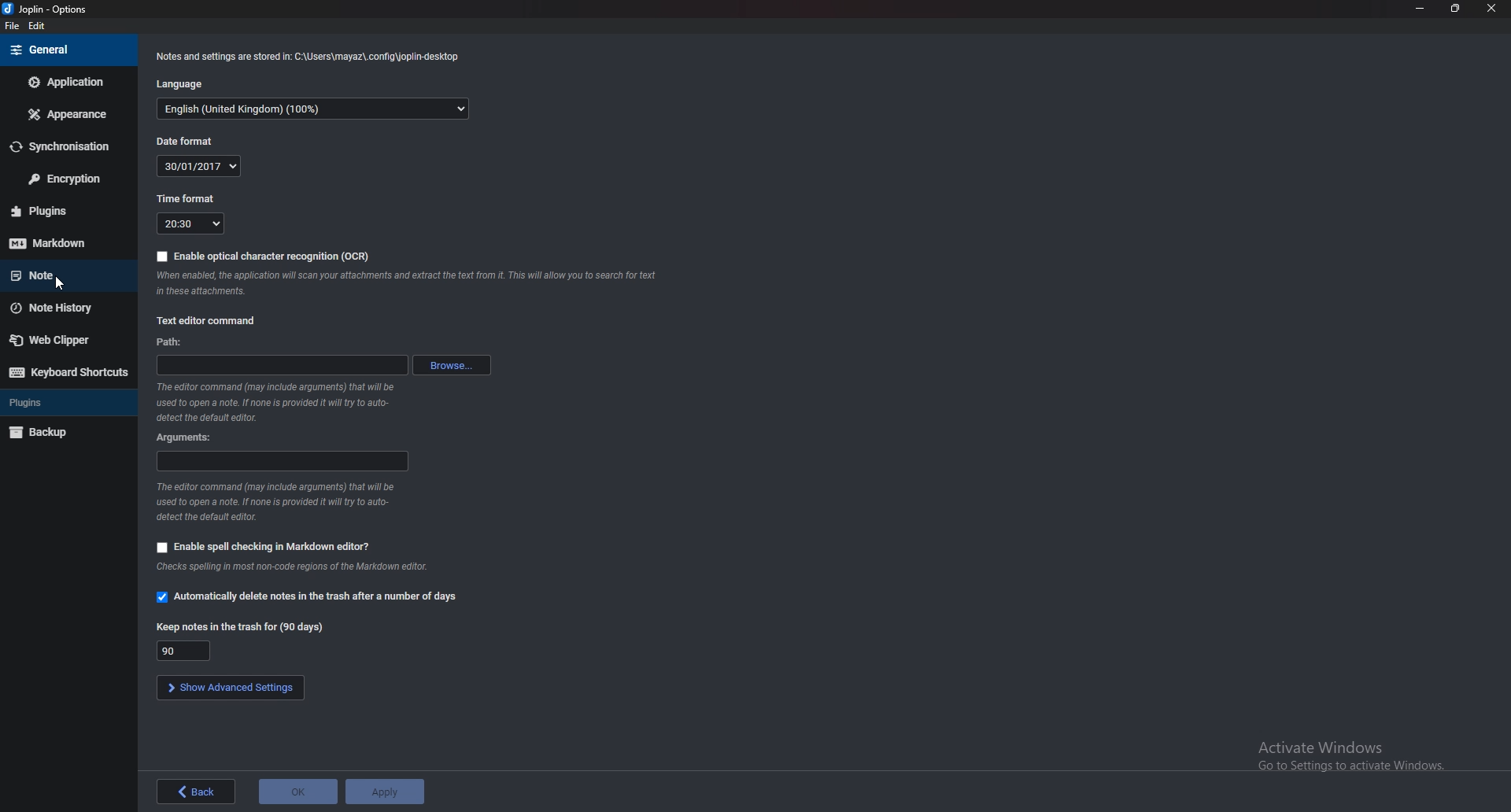 This screenshot has height=812, width=1511. I want to click on Info, so click(281, 502).